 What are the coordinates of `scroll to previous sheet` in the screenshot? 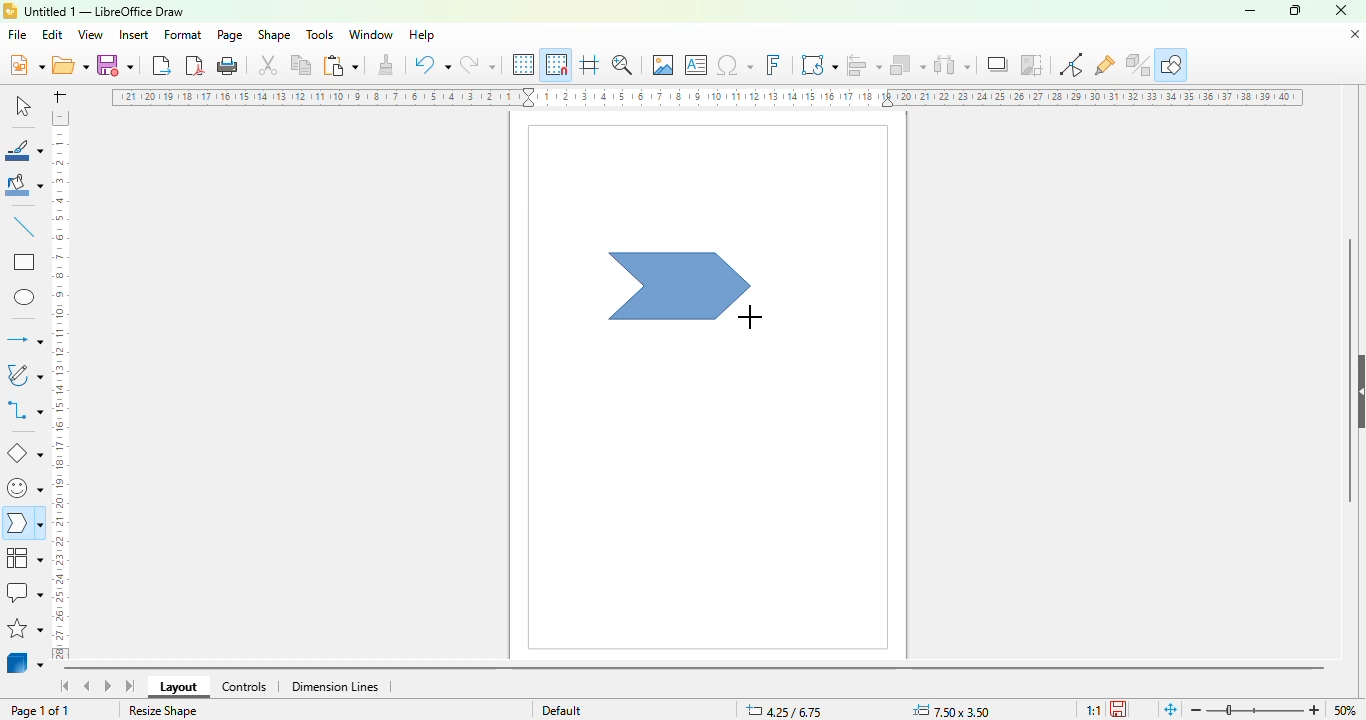 It's located at (87, 685).